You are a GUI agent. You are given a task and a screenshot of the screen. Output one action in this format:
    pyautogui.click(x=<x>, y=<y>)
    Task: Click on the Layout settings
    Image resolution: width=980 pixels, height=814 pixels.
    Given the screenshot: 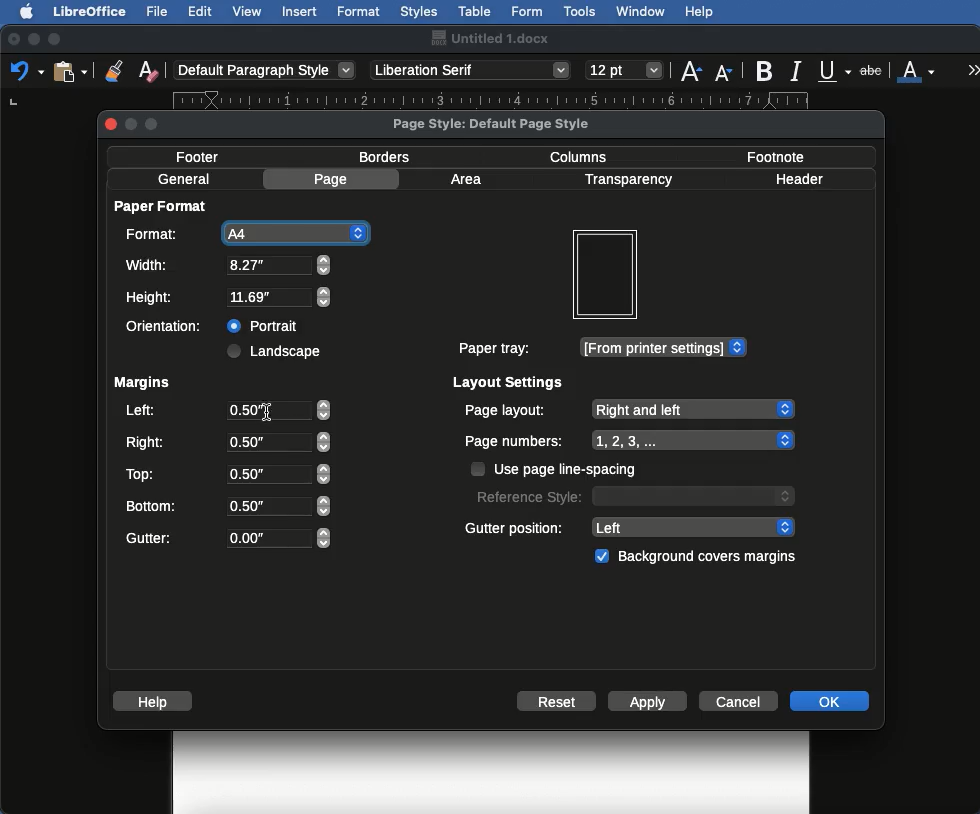 What is the action you would take?
    pyautogui.click(x=509, y=382)
    